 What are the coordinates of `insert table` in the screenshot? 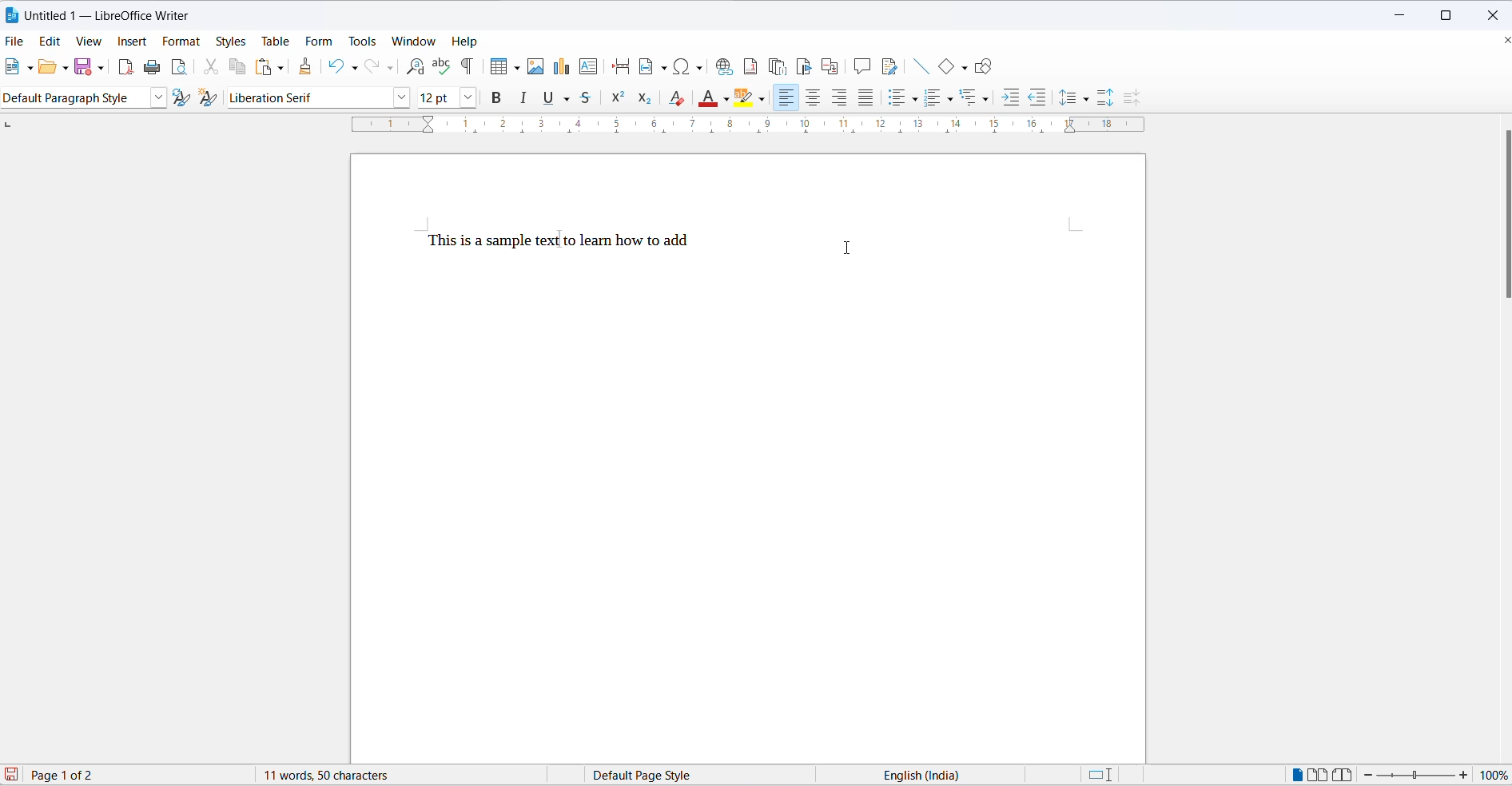 It's located at (495, 66).